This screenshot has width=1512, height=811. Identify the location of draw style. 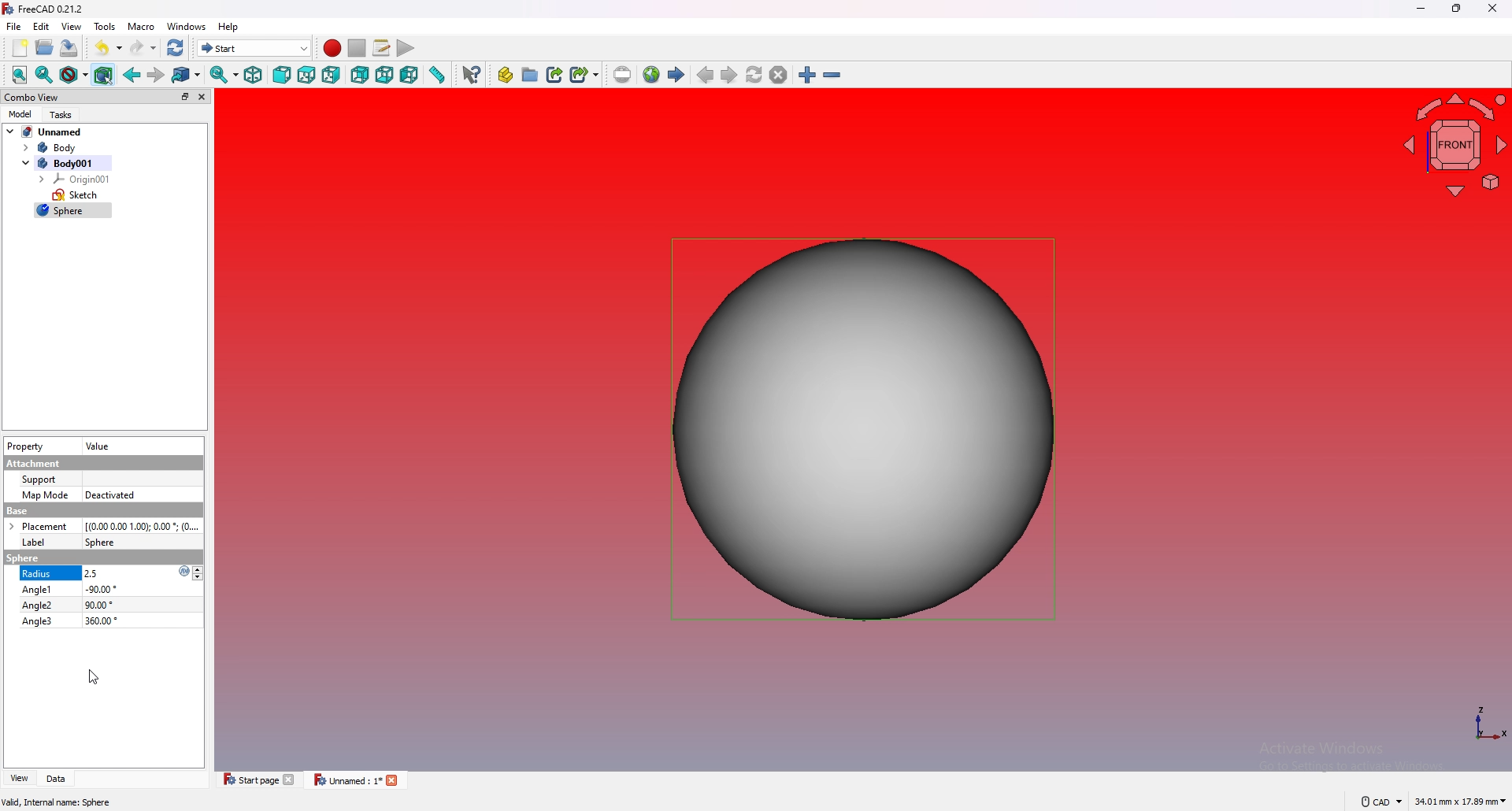
(74, 76).